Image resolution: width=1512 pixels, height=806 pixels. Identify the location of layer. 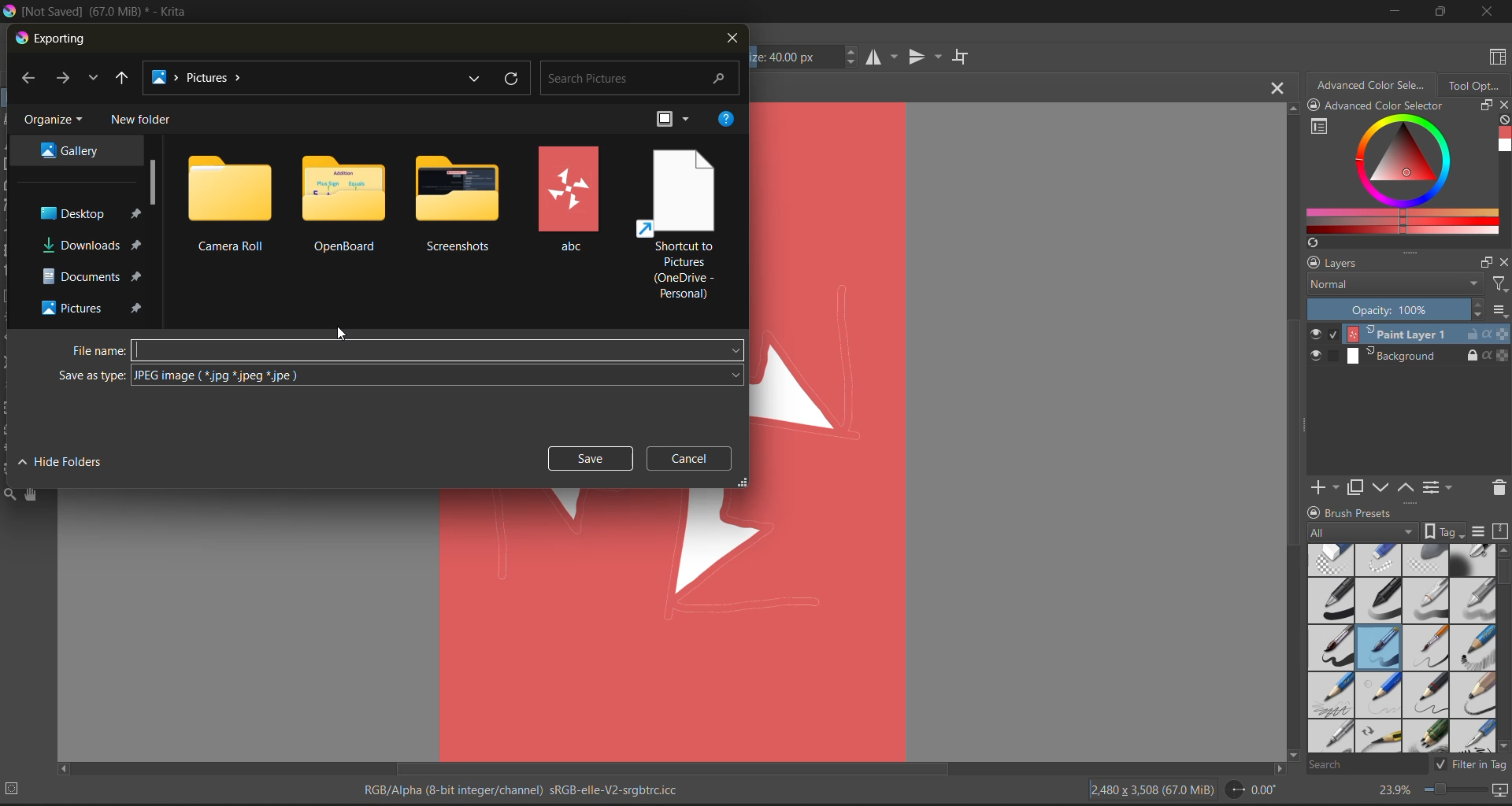
(1409, 335).